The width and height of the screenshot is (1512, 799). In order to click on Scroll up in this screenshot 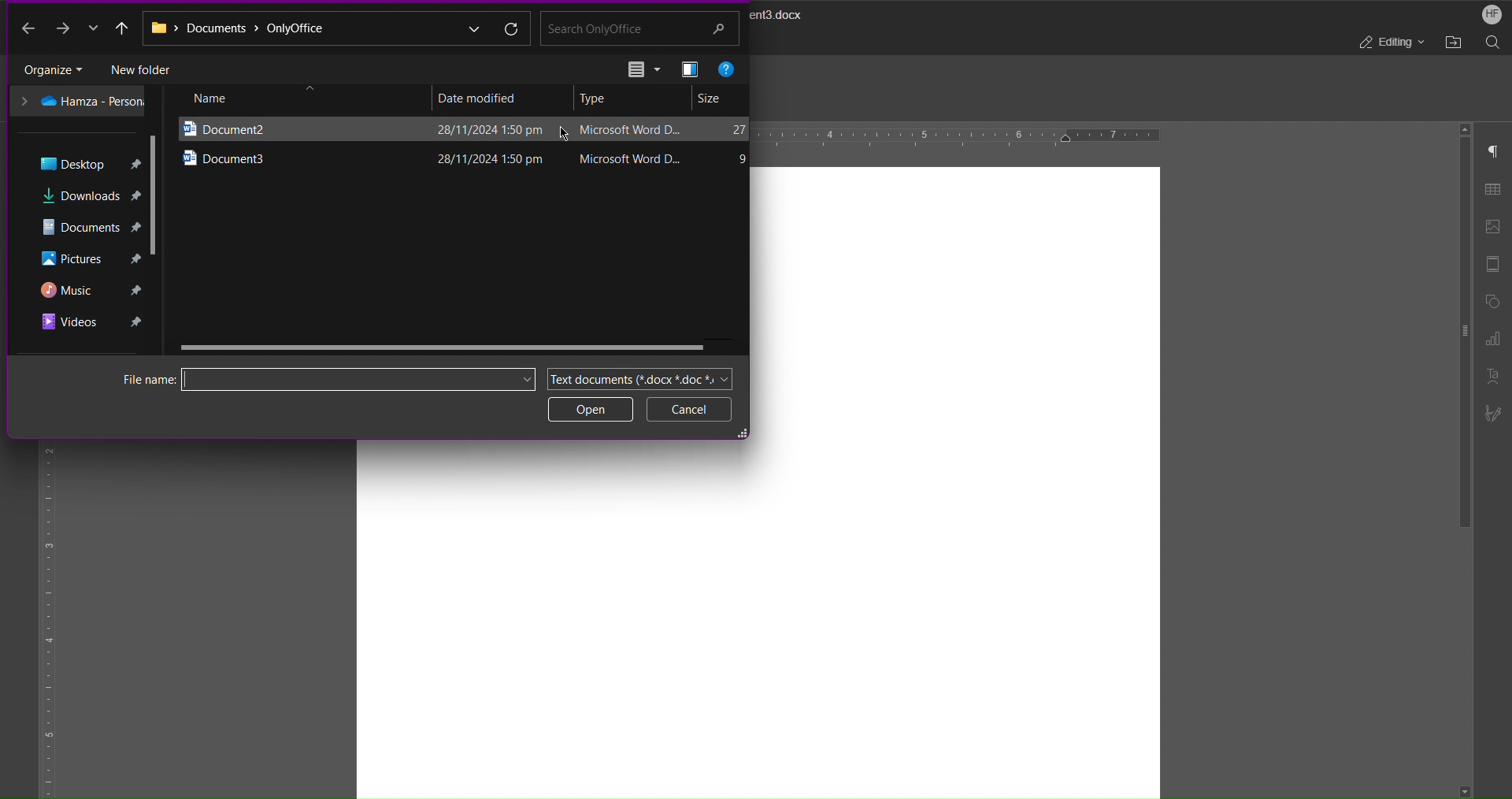, I will do `click(1463, 125)`.